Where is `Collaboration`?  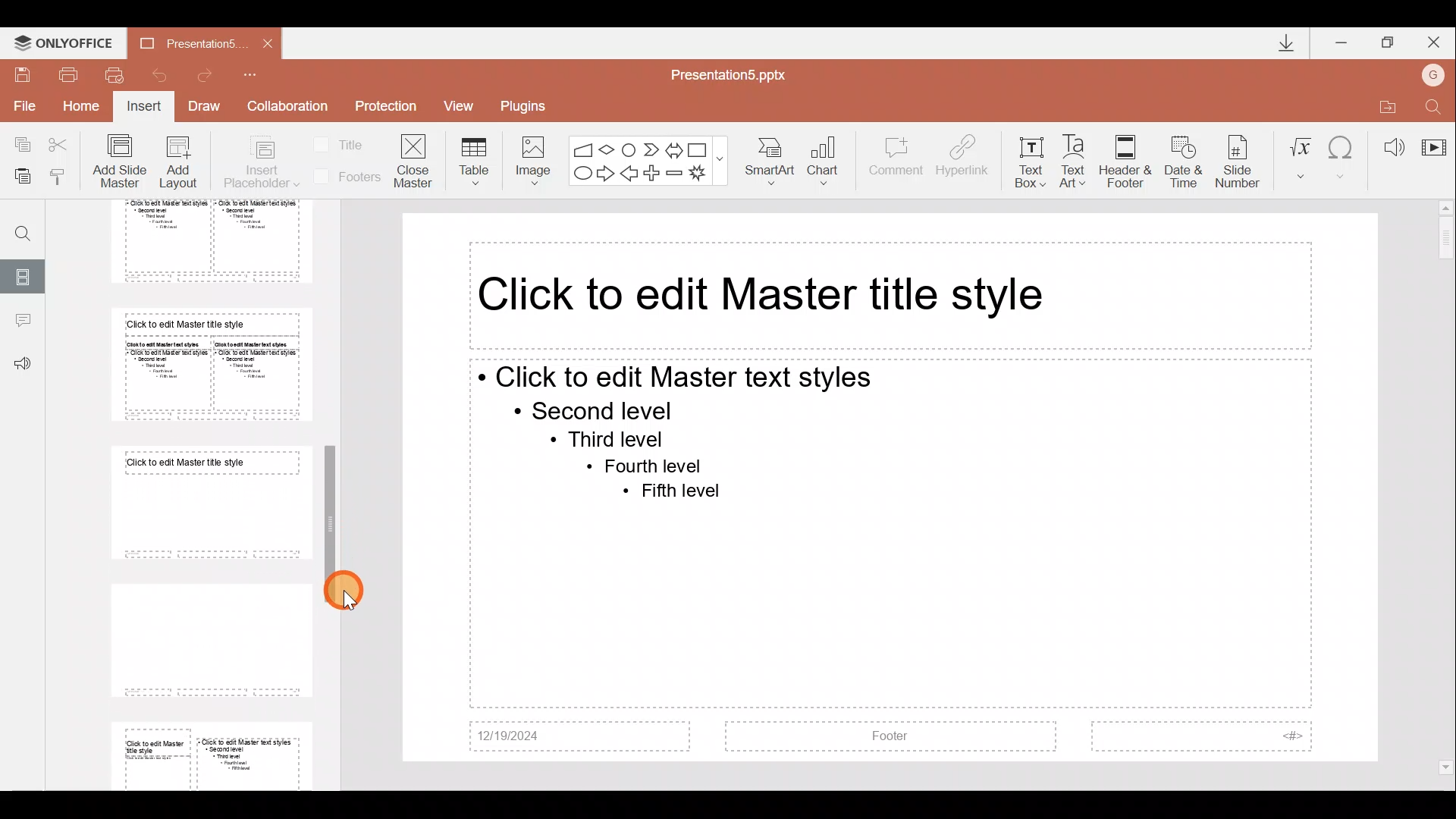 Collaboration is located at coordinates (287, 106).